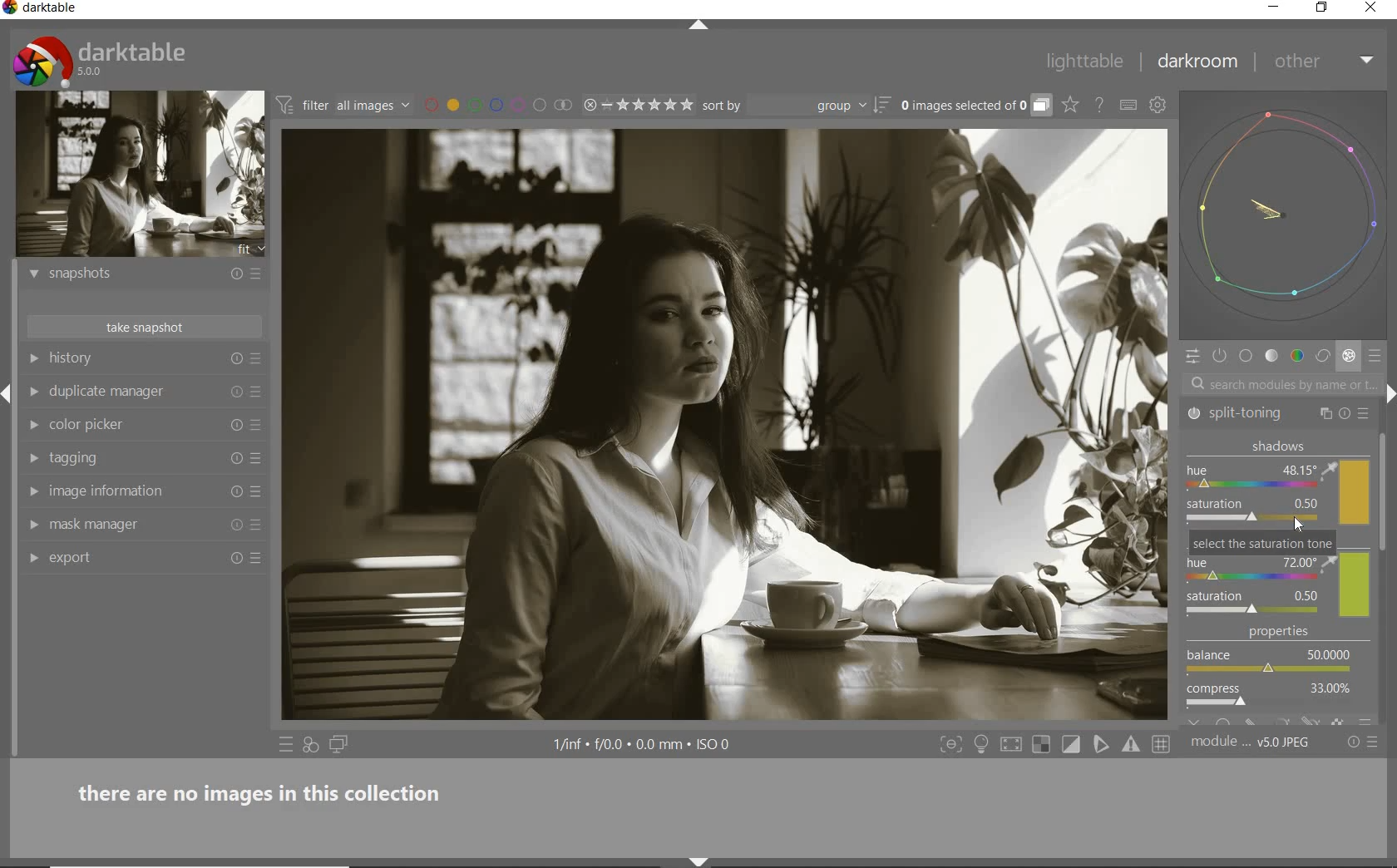 Image resolution: width=1397 pixels, height=868 pixels. What do you see at coordinates (1377, 357) in the screenshot?
I see `presets` at bounding box center [1377, 357].